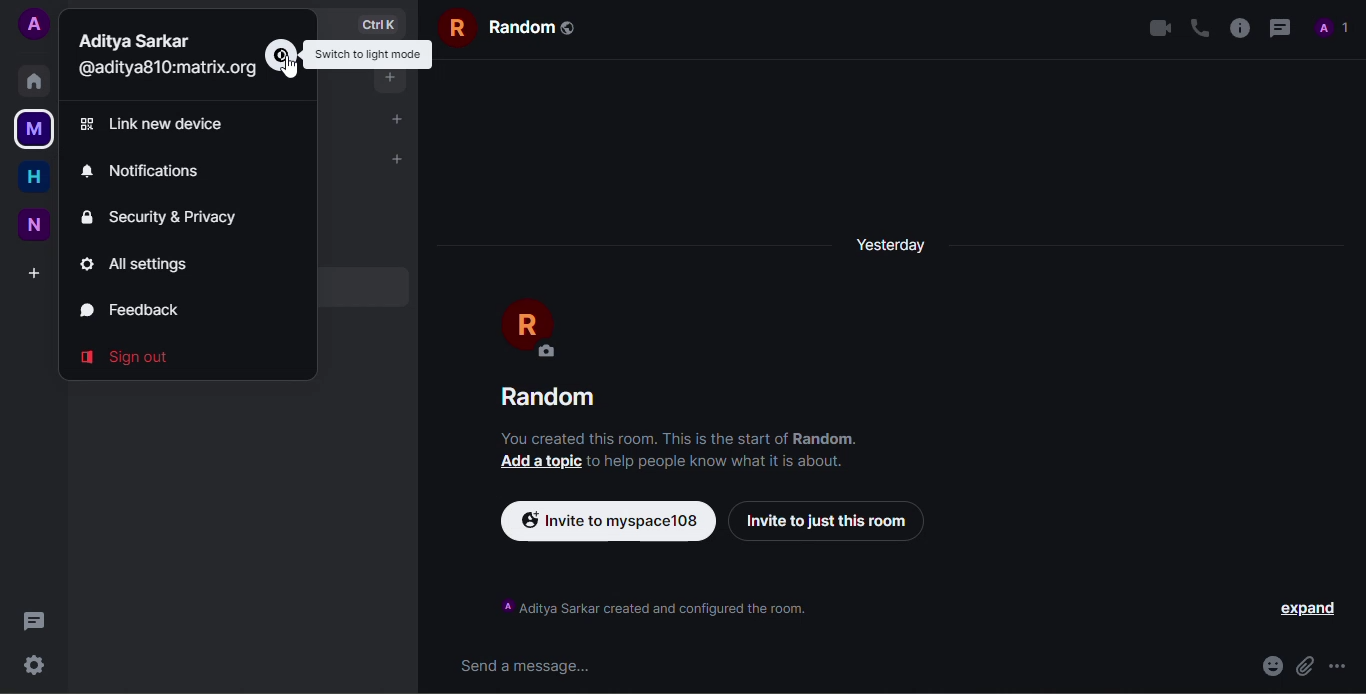 This screenshot has width=1366, height=694. What do you see at coordinates (533, 328) in the screenshot?
I see `profile` at bounding box center [533, 328].